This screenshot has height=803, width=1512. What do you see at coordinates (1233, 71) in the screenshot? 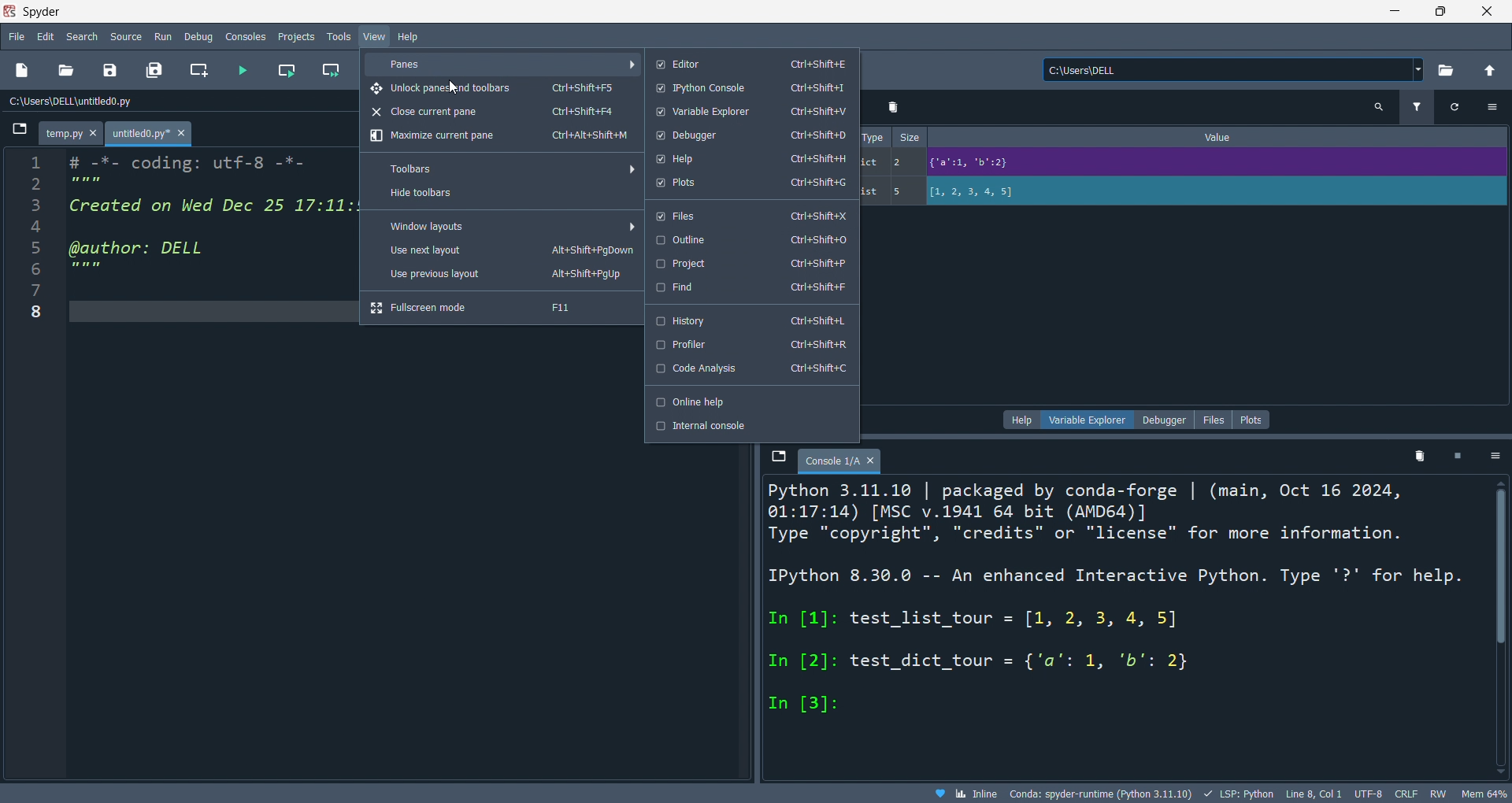
I see `current directory` at bounding box center [1233, 71].